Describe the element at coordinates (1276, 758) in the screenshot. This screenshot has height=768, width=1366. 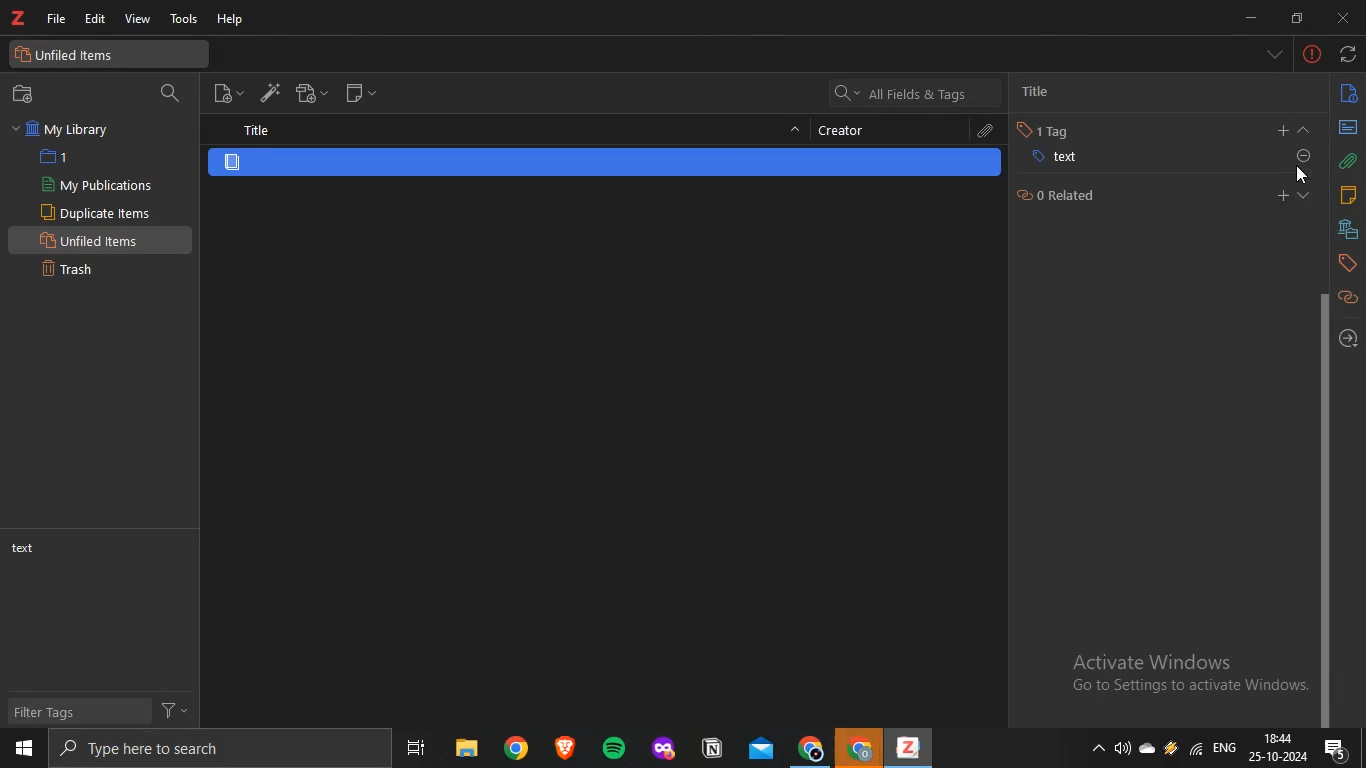
I see `date` at that location.